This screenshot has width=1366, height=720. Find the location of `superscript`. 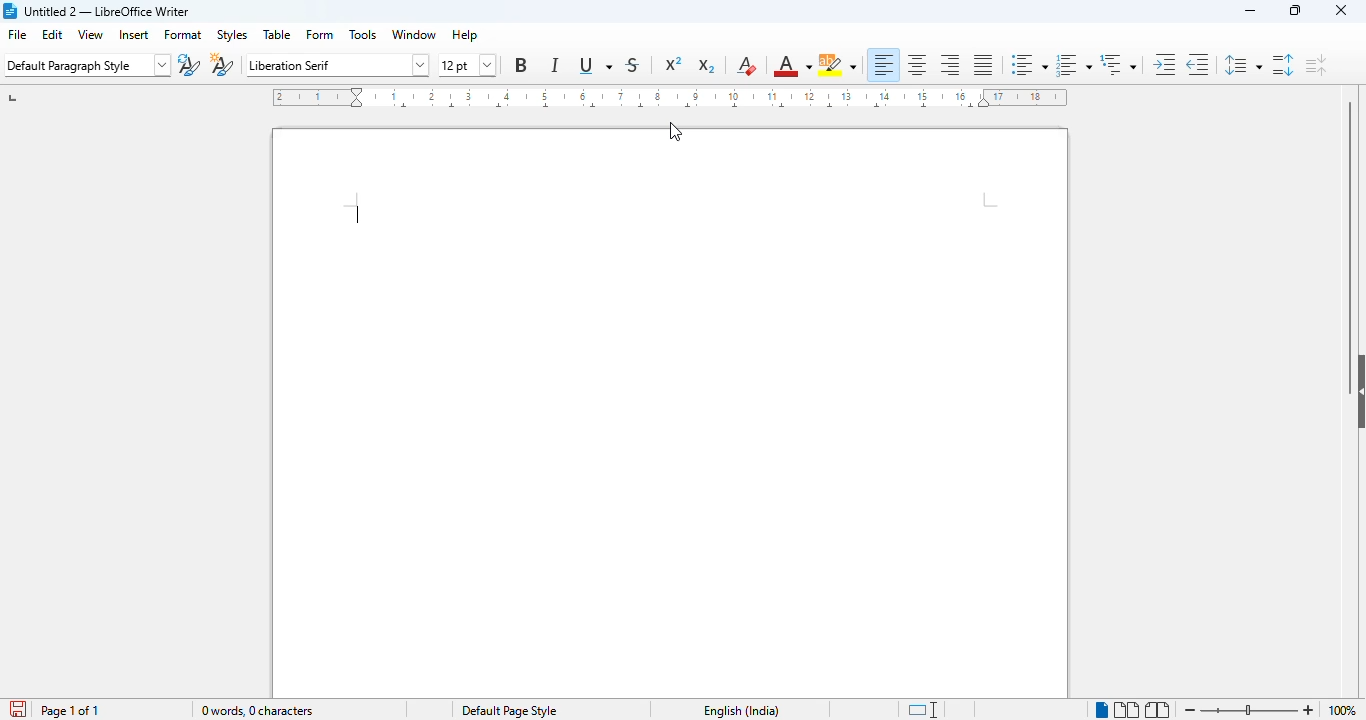

superscript is located at coordinates (673, 62).